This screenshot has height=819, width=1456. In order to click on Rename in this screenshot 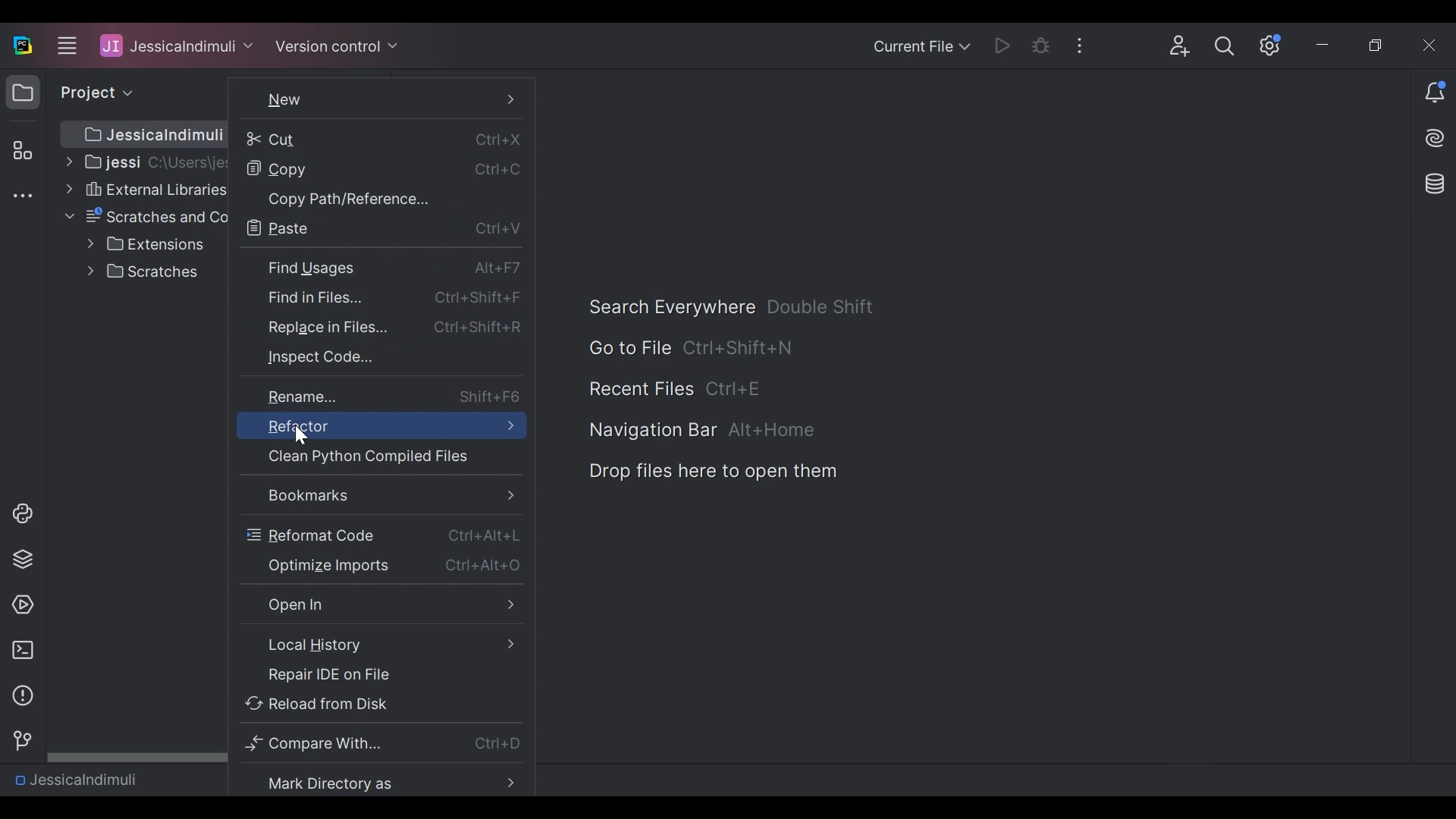, I will do `click(383, 396)`.